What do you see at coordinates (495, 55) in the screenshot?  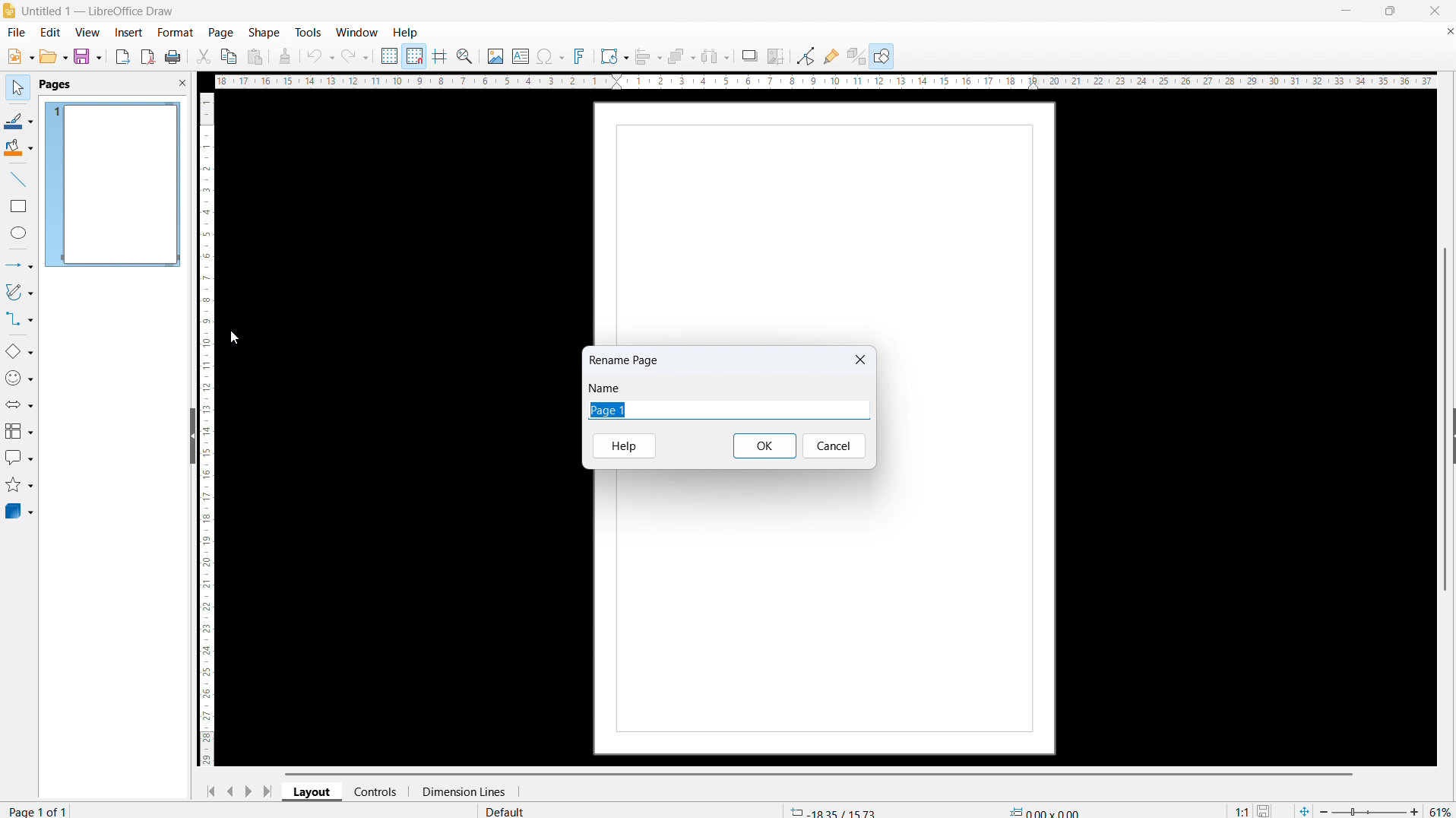 I see `Insert image` at bounding box center [495, 55].